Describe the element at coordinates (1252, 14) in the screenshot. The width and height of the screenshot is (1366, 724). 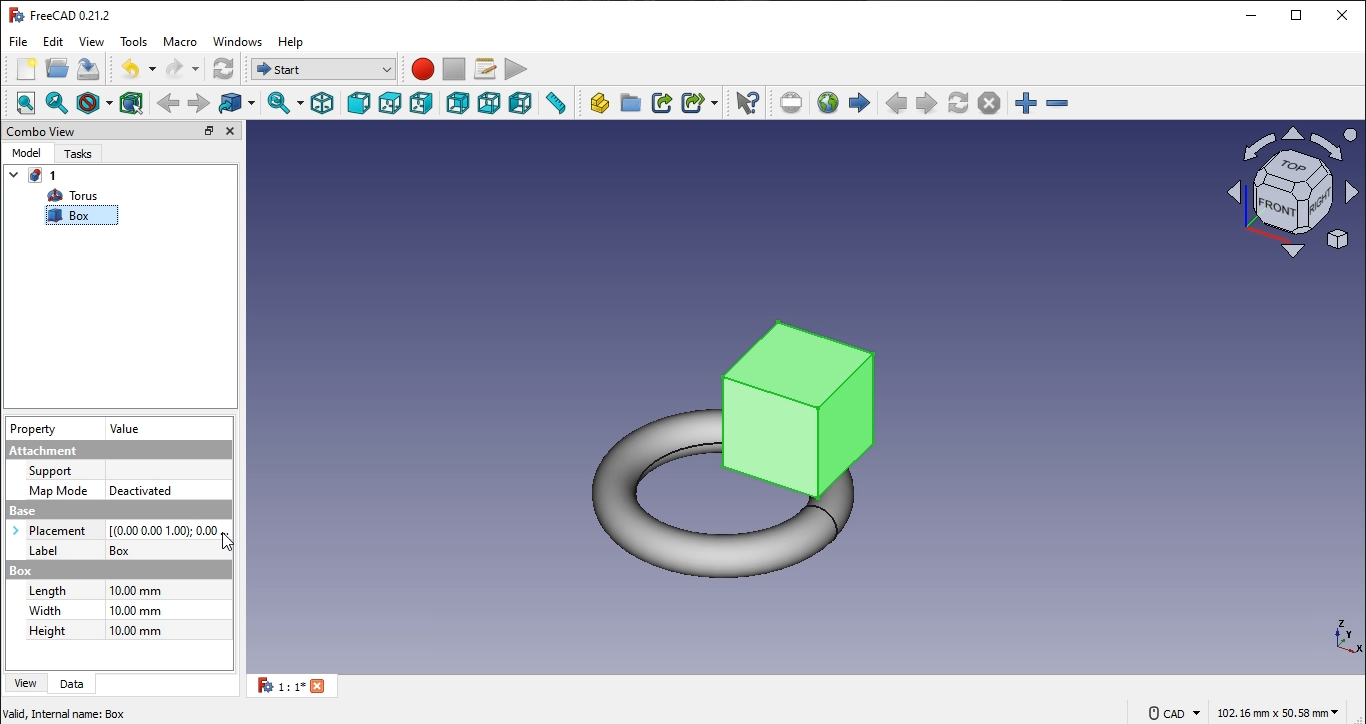
I see `minimize` at that location.